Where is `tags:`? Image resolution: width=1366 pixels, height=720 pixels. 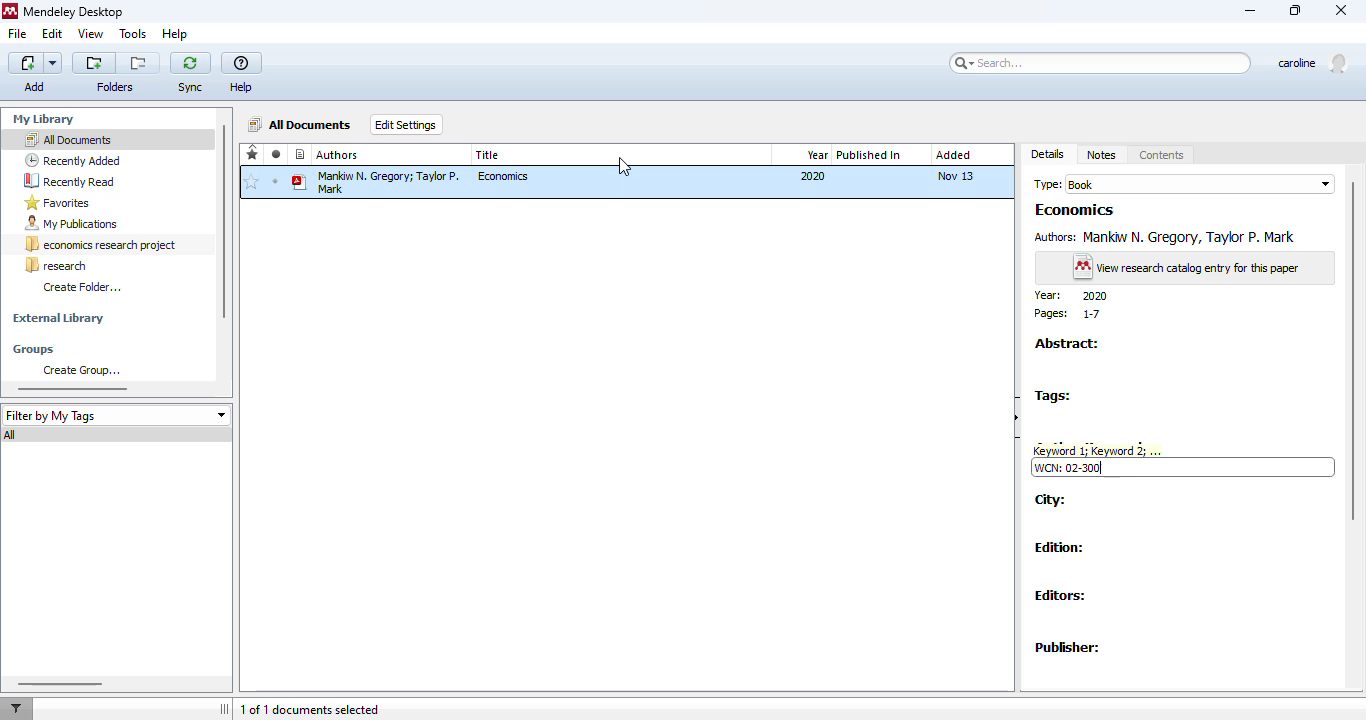
tags: is located at coordinates (1053, 395).